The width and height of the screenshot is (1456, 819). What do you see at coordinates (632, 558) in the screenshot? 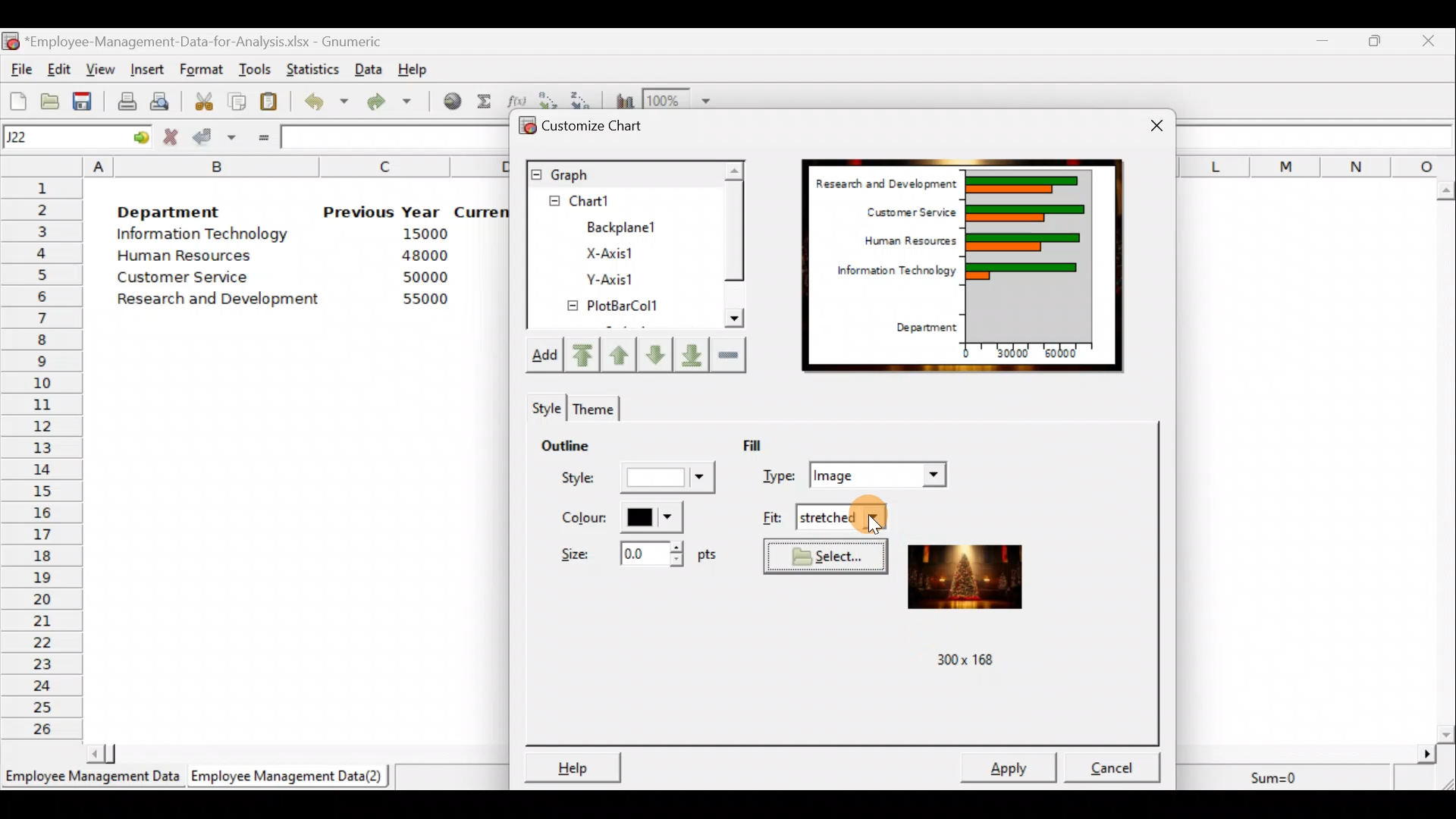
I see `Size` at bounding box center [632, 558].